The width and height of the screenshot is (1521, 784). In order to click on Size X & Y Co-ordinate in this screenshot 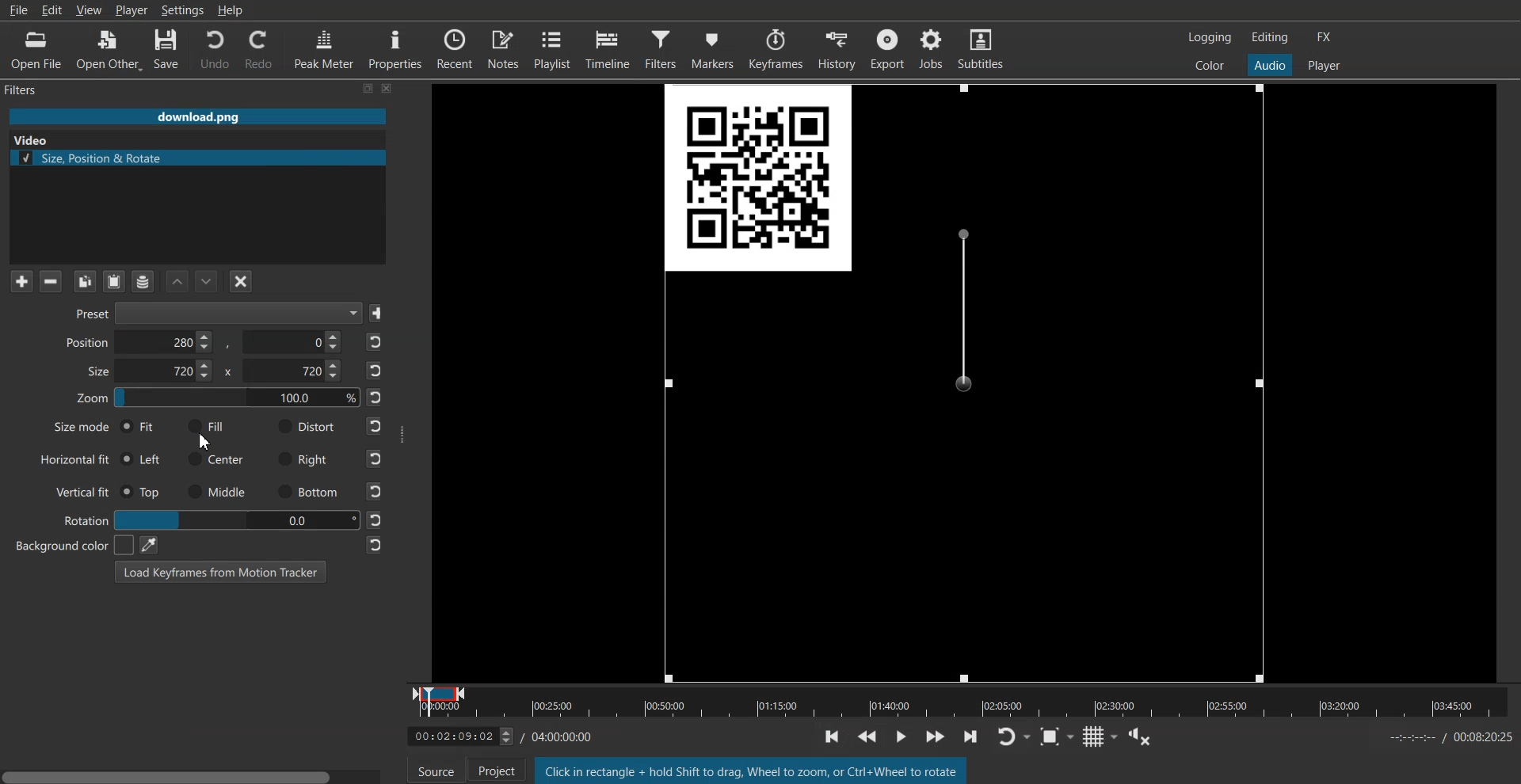, I will do `click(210, 373)`.